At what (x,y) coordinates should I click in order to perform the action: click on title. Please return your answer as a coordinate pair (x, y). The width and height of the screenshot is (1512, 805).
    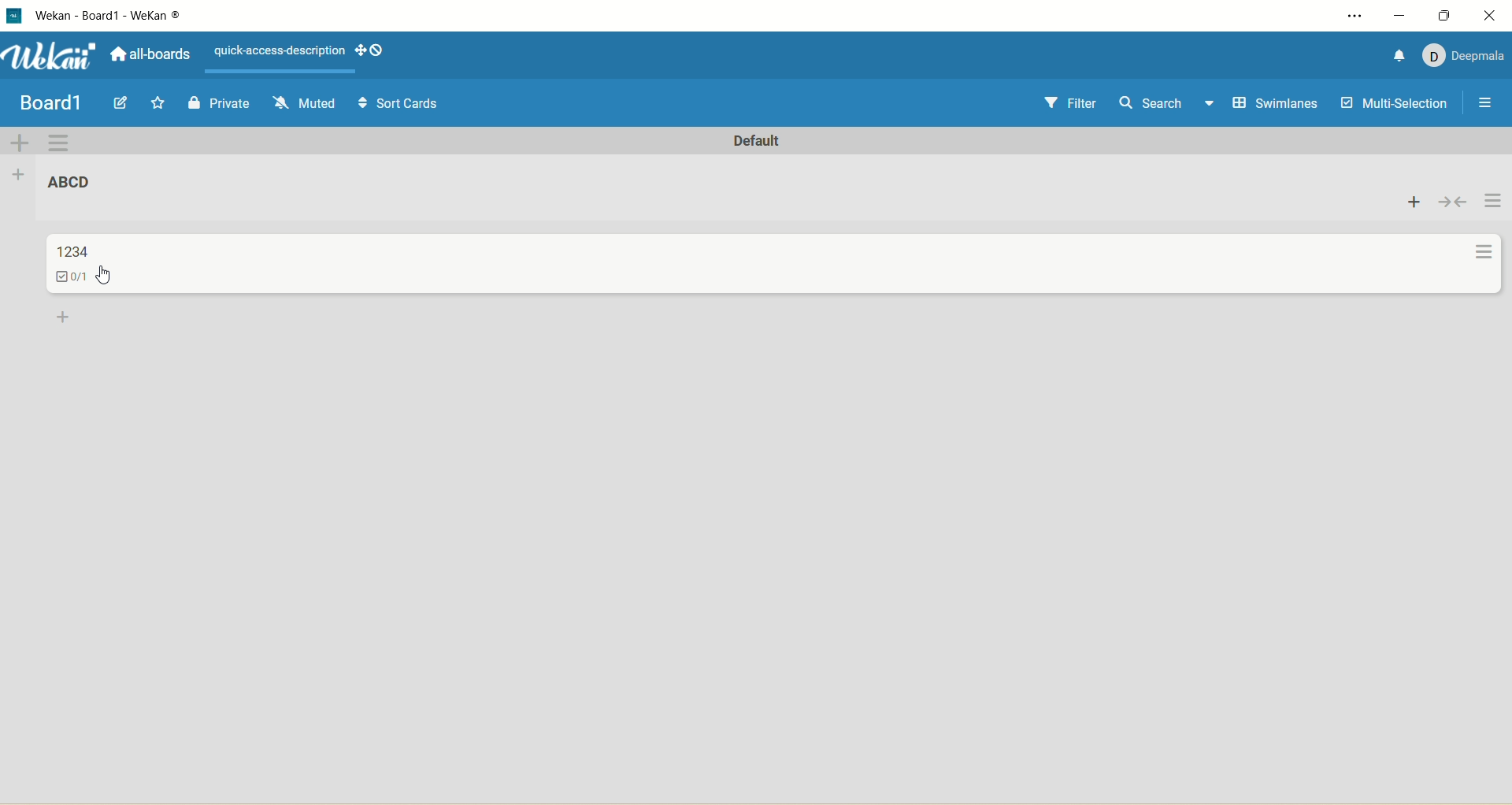
    Looking at the image, I should click on (76, 250).